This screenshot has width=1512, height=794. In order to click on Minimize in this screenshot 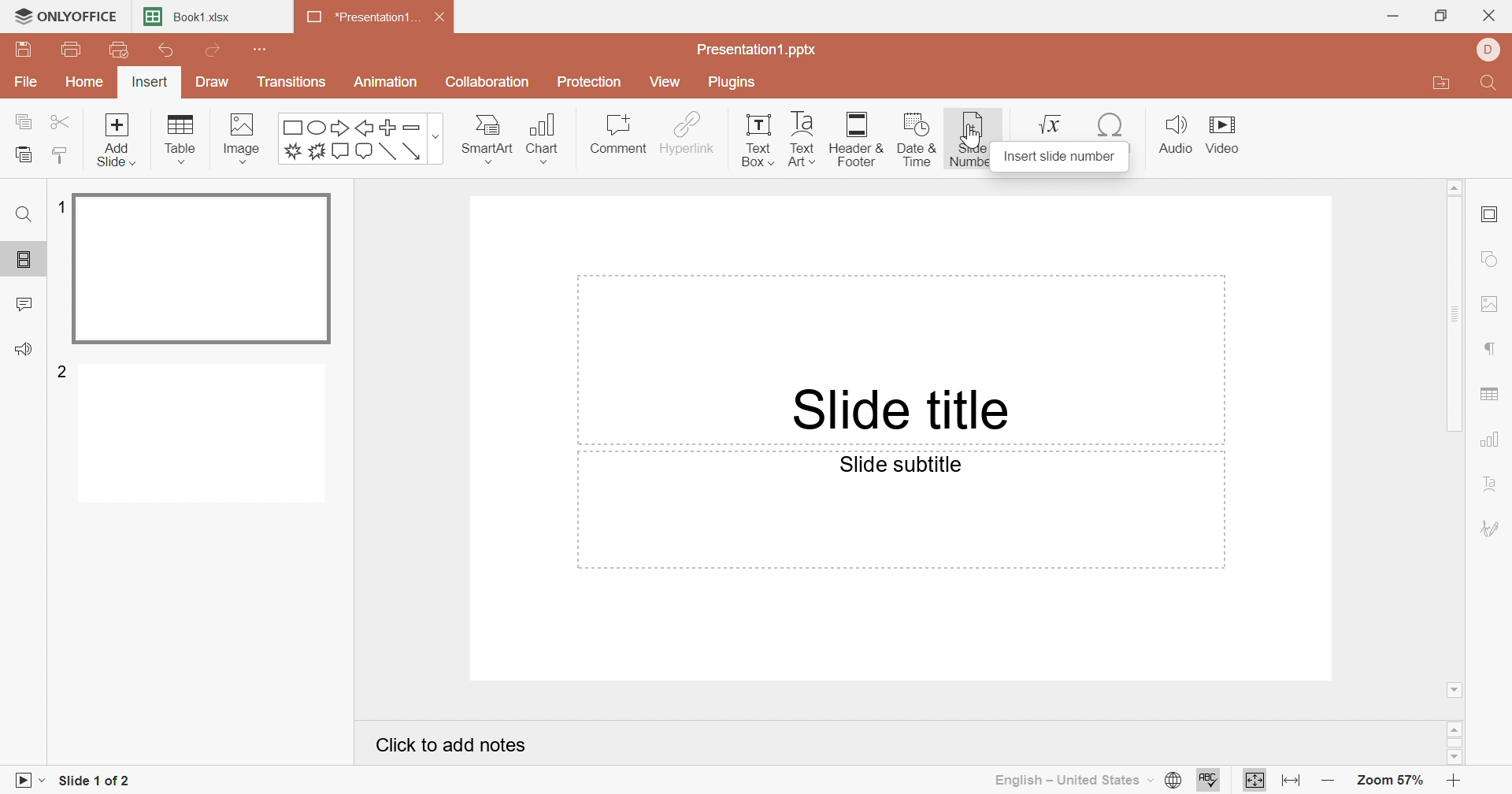, I will do `click(1393, 17)`.